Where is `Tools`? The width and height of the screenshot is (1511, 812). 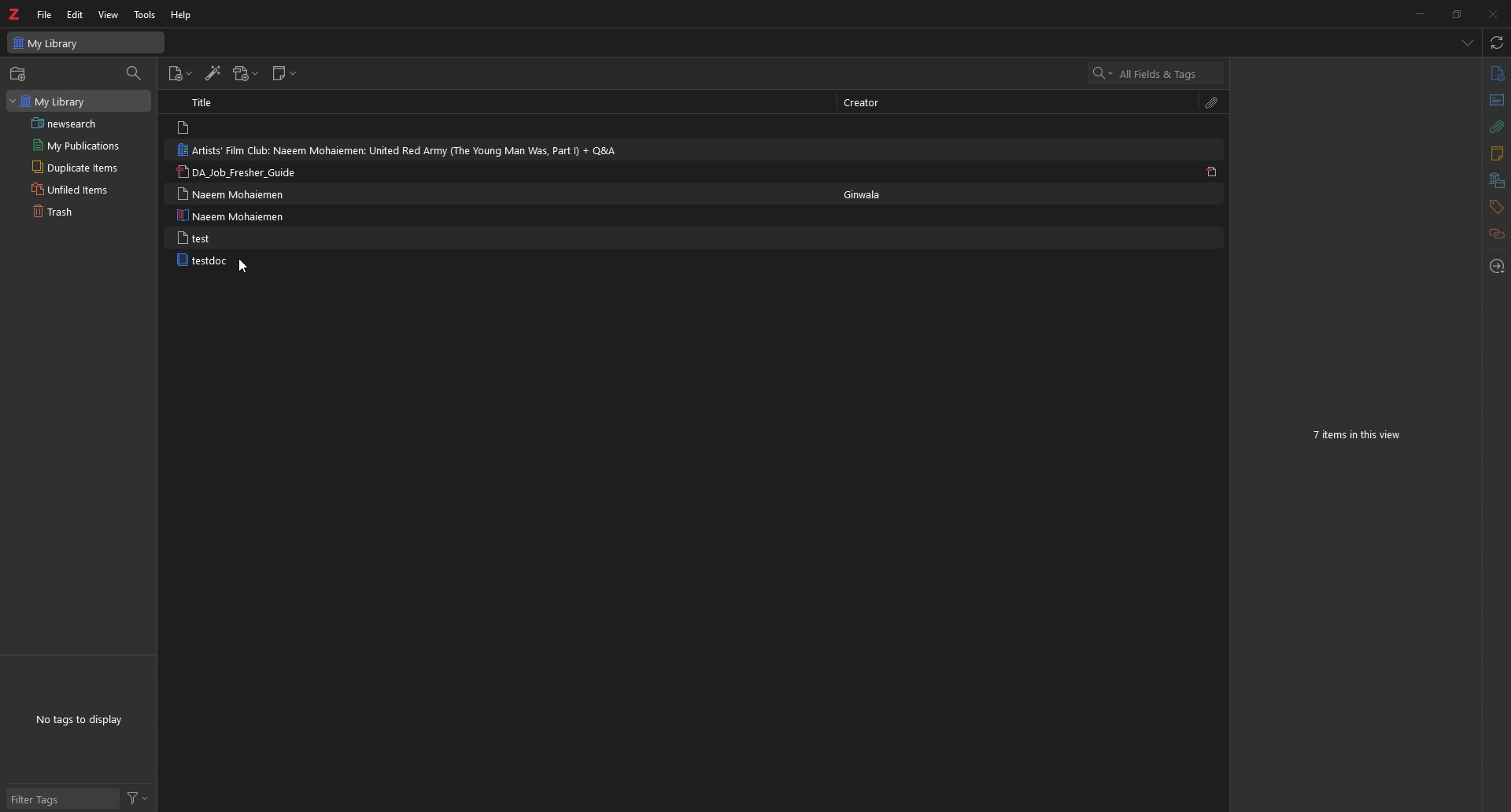
Tools is located at coordinates (143, 16).